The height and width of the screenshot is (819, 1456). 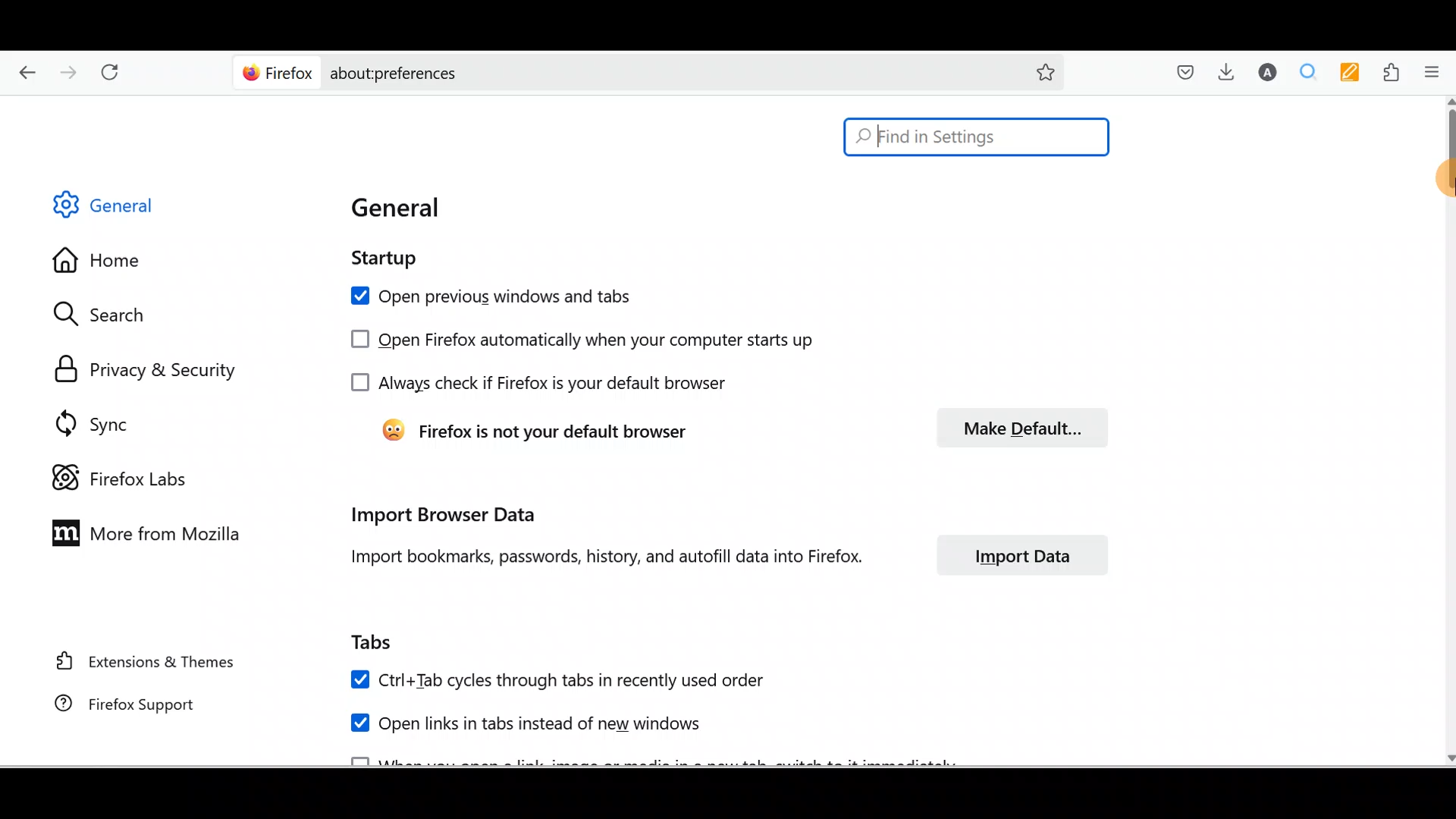 I want to click on Go back one page, so click(x=23, y=75).